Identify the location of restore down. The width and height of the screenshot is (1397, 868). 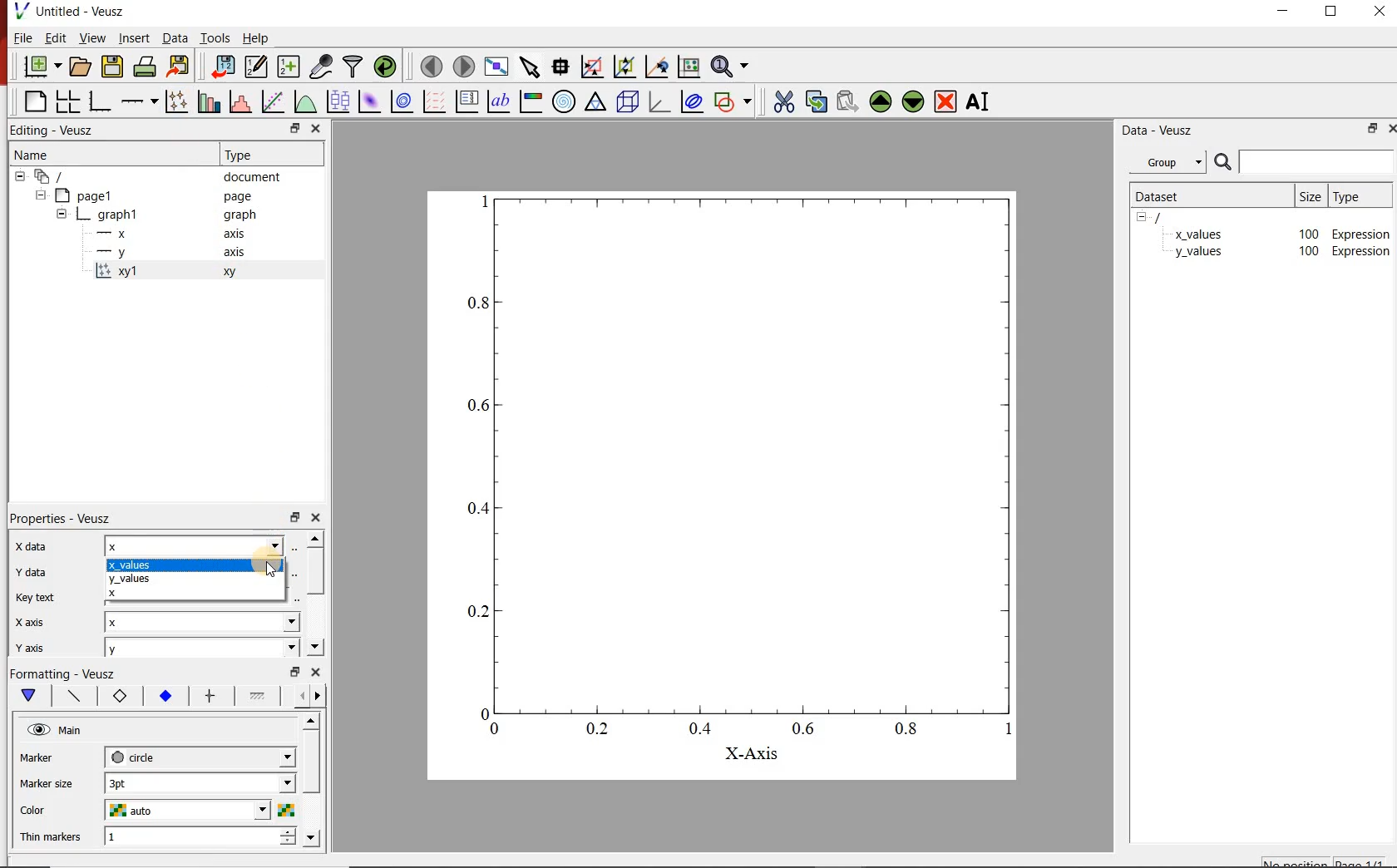
(1369, 128).